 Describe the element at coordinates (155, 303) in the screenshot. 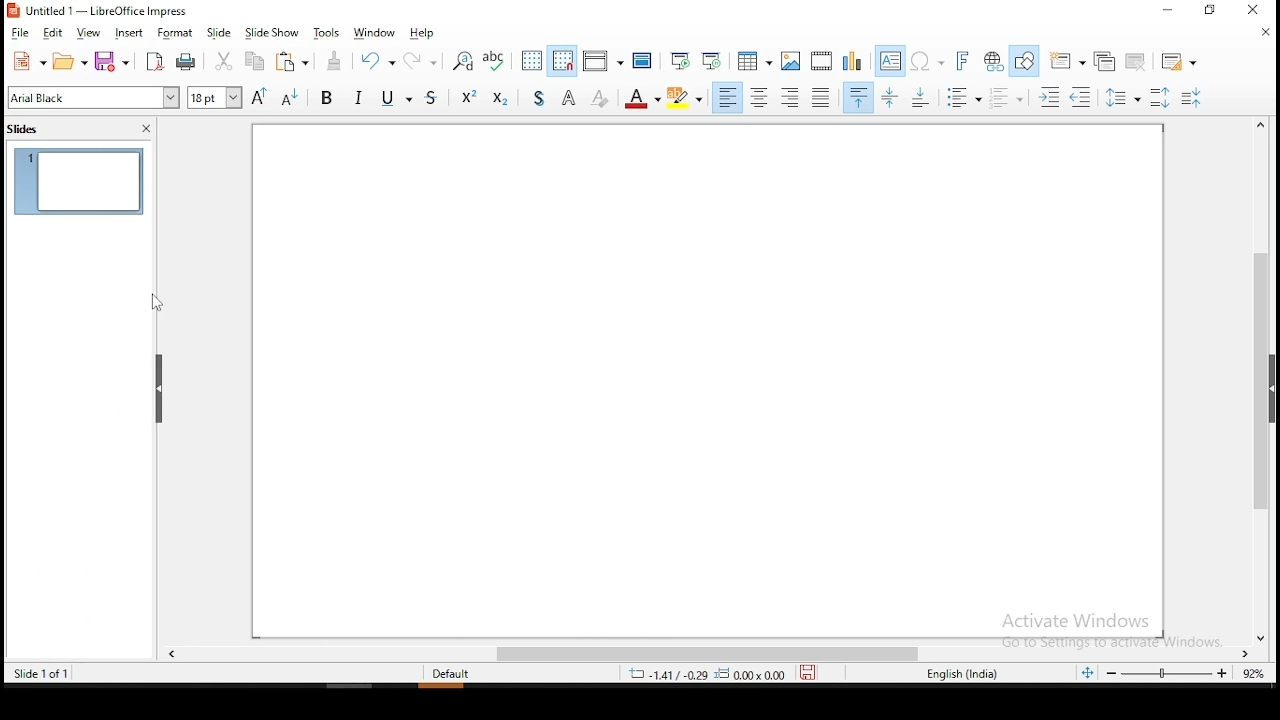

I see `mouse pointer` at that location.